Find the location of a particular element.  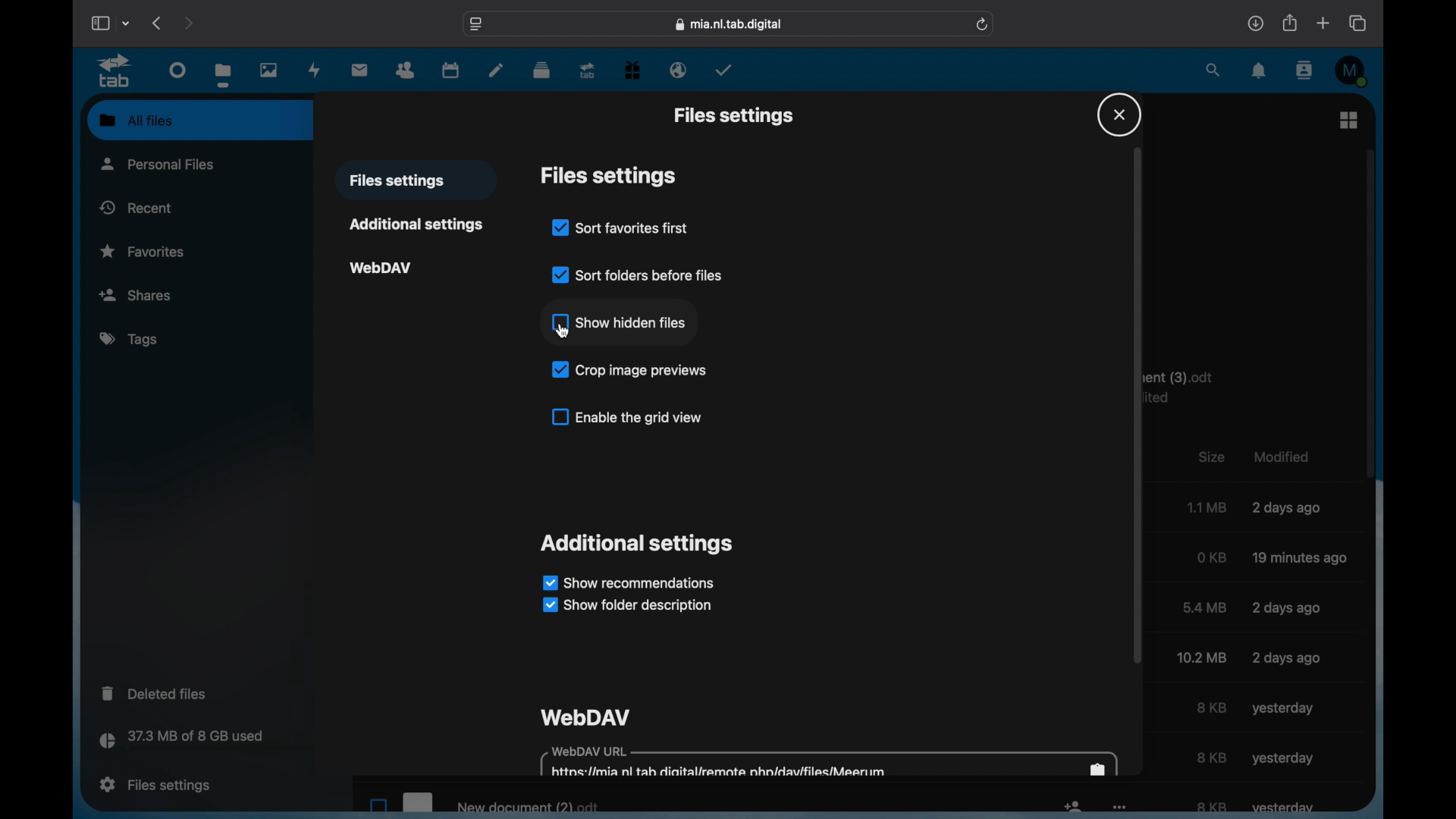

free trial is located at coordinates (632, 71).